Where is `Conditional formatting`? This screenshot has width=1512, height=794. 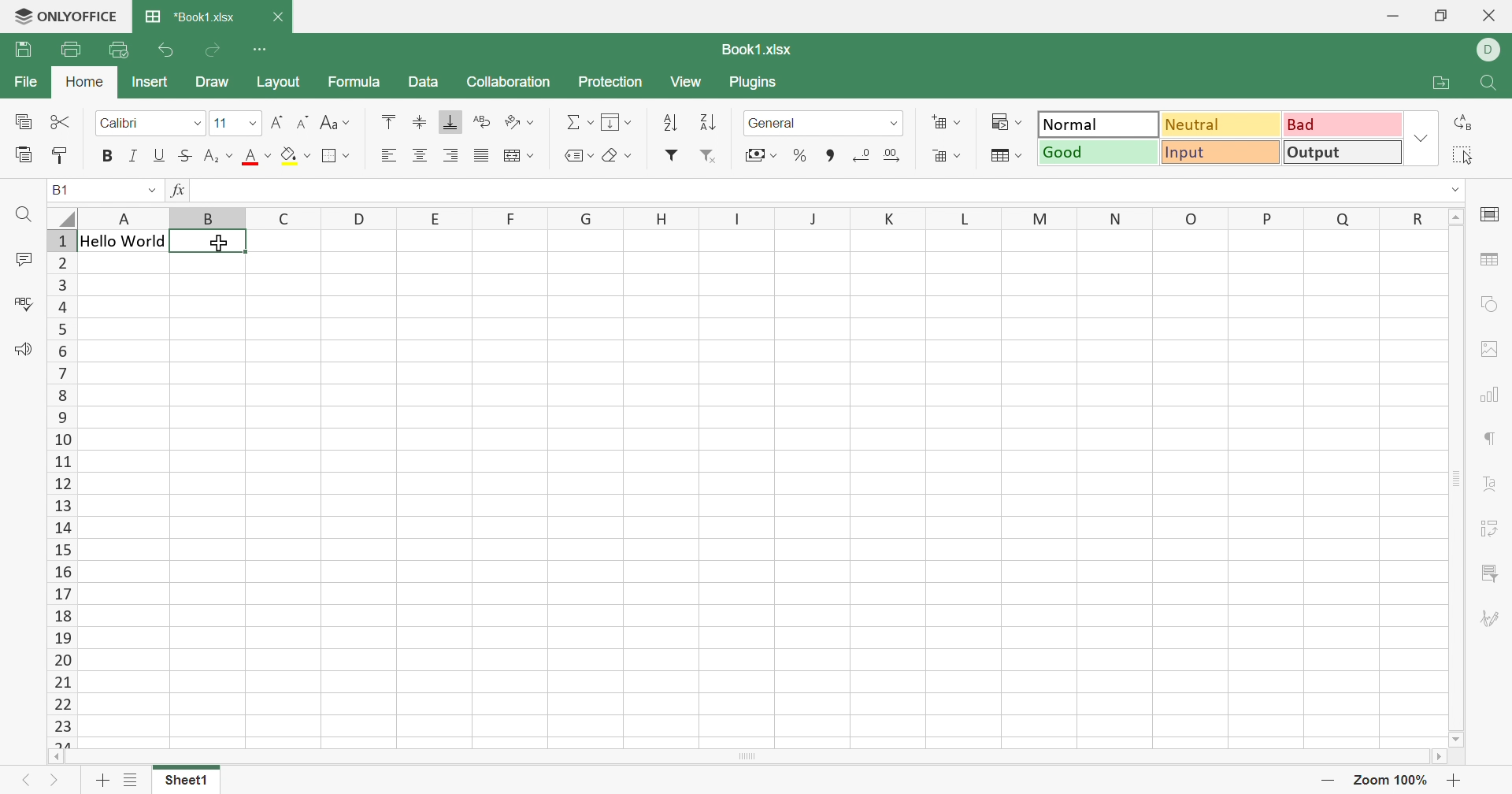
Conditional formatting is located at coordinates (1006, 123).